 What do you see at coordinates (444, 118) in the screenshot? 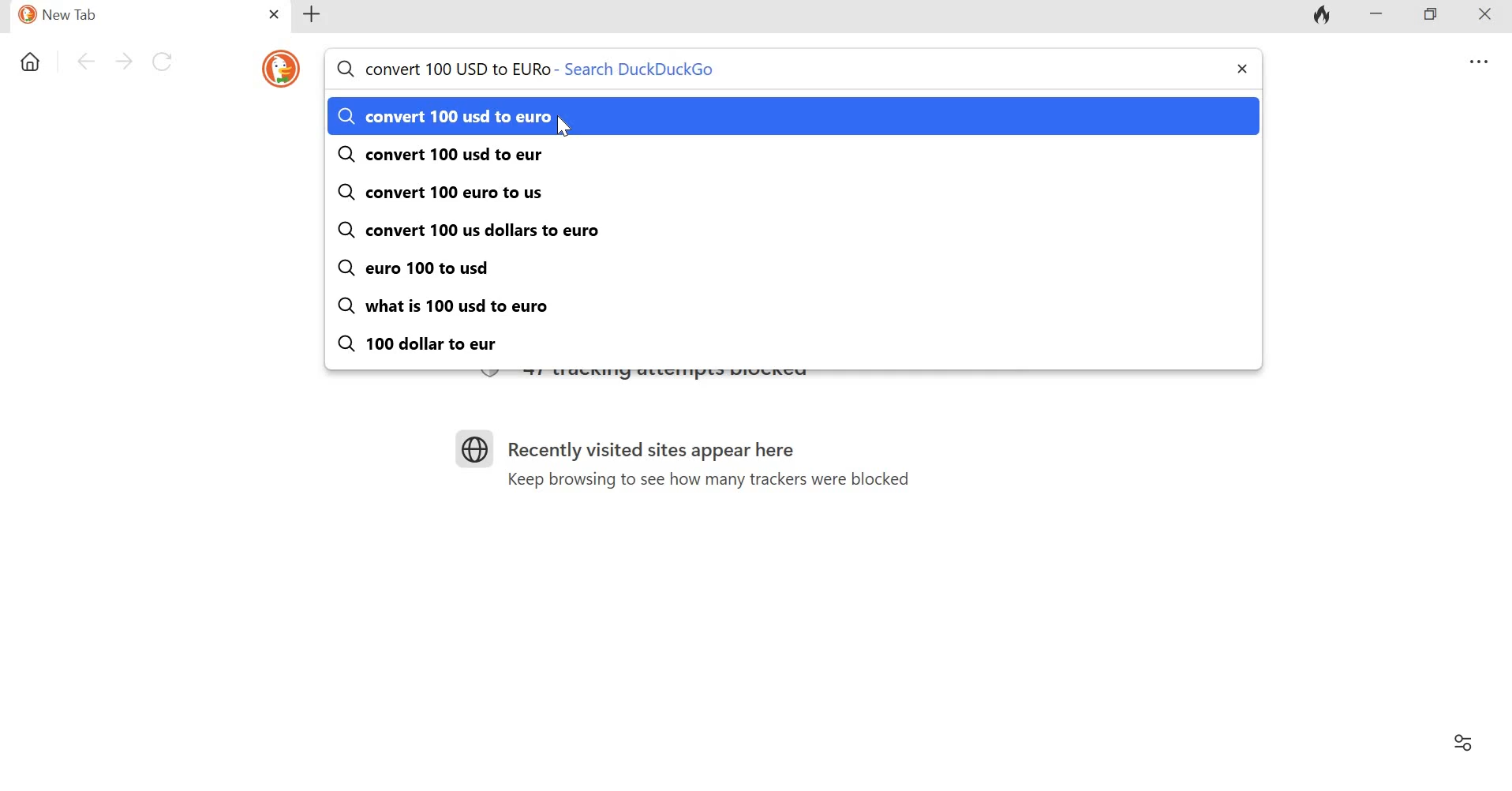
I see `convert 100 usd to euro` at bounding box center [444, 118].